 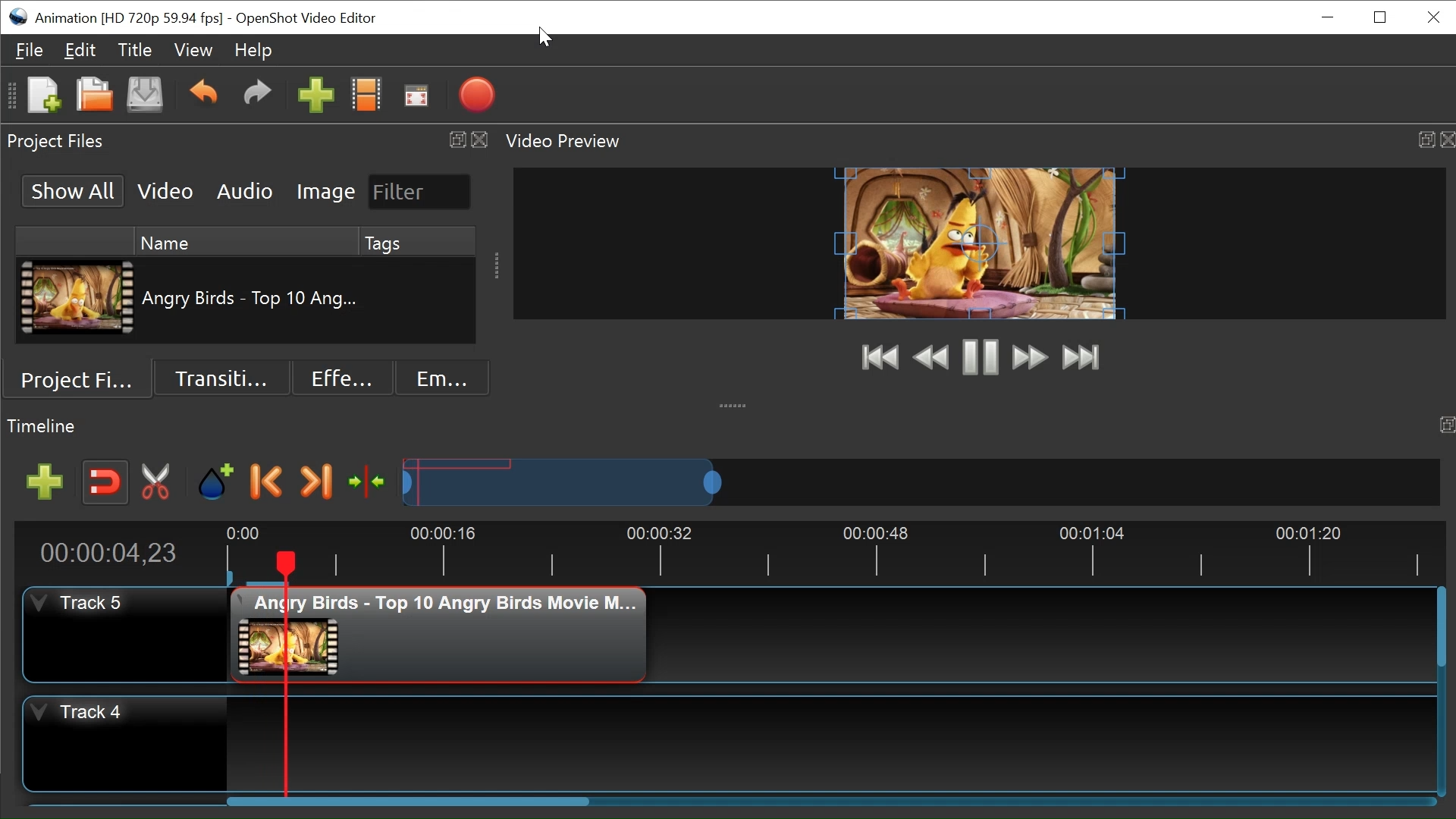 What do you see at coordinates (342, 378) in the screenshot?
I see `Effects` at bounding box center [342, 378].